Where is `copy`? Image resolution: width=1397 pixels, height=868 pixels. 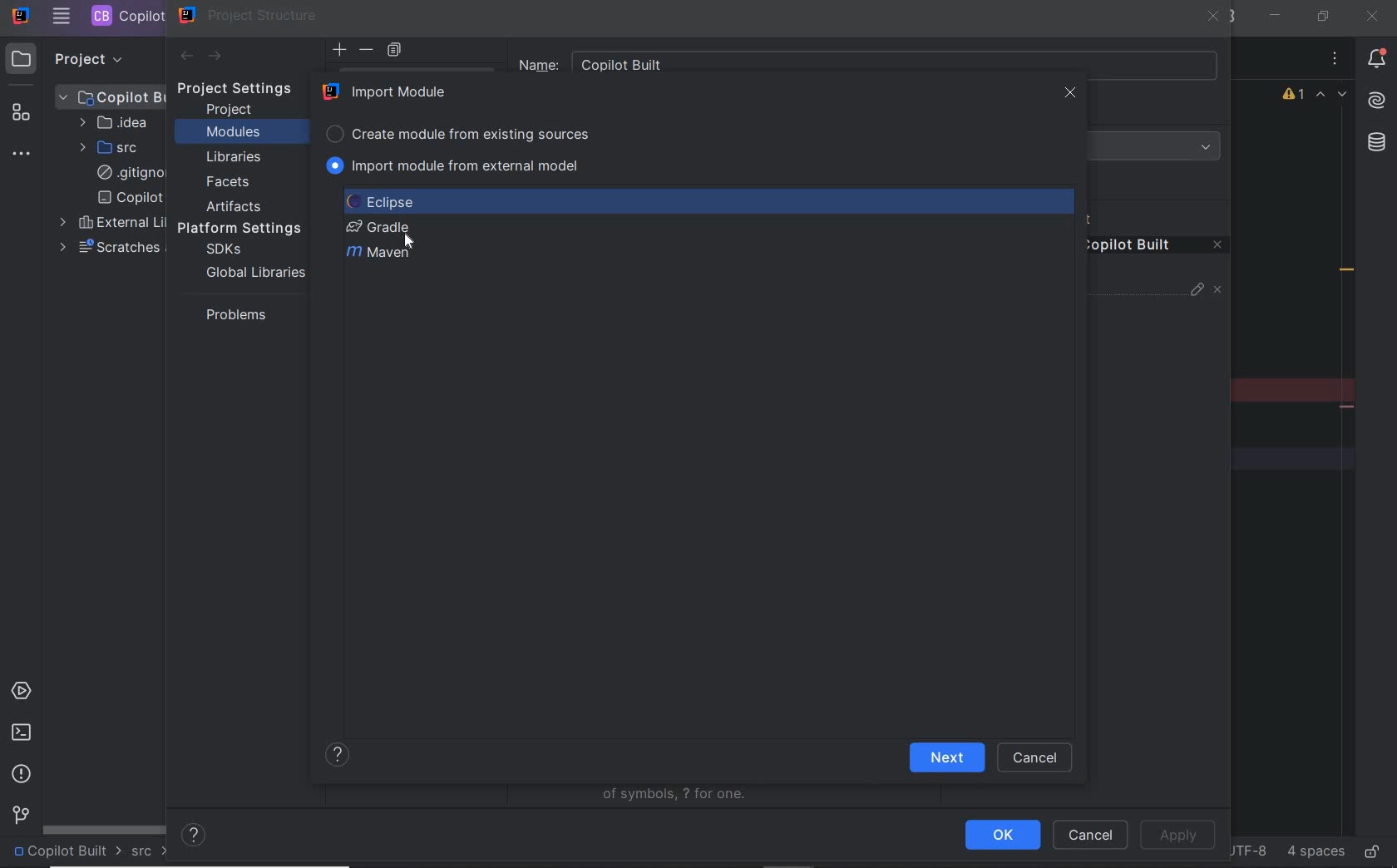 copy is located at coordinates (394, 51).